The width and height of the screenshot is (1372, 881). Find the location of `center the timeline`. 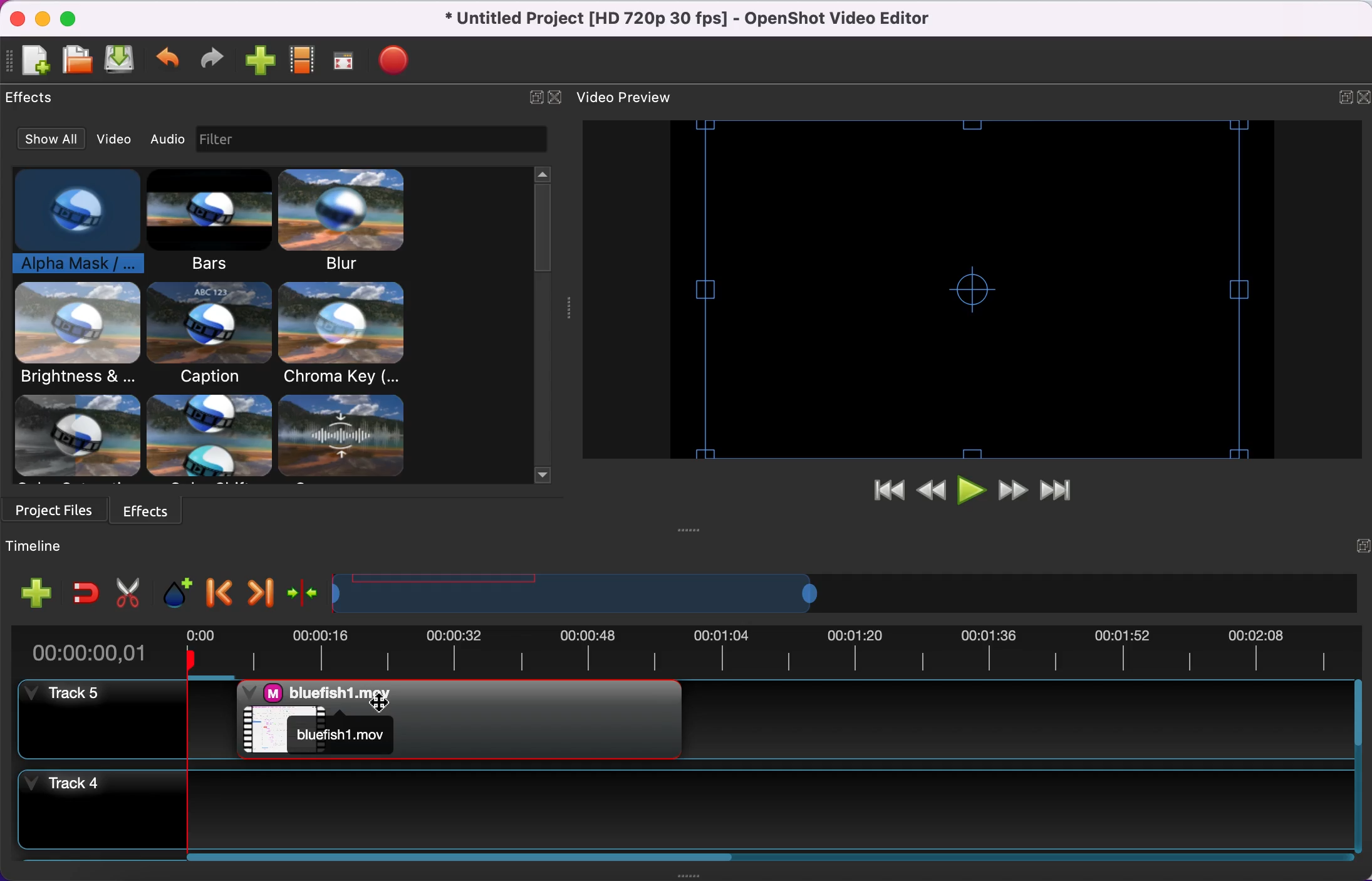

center the timeline is located at coordinates (301, 592).